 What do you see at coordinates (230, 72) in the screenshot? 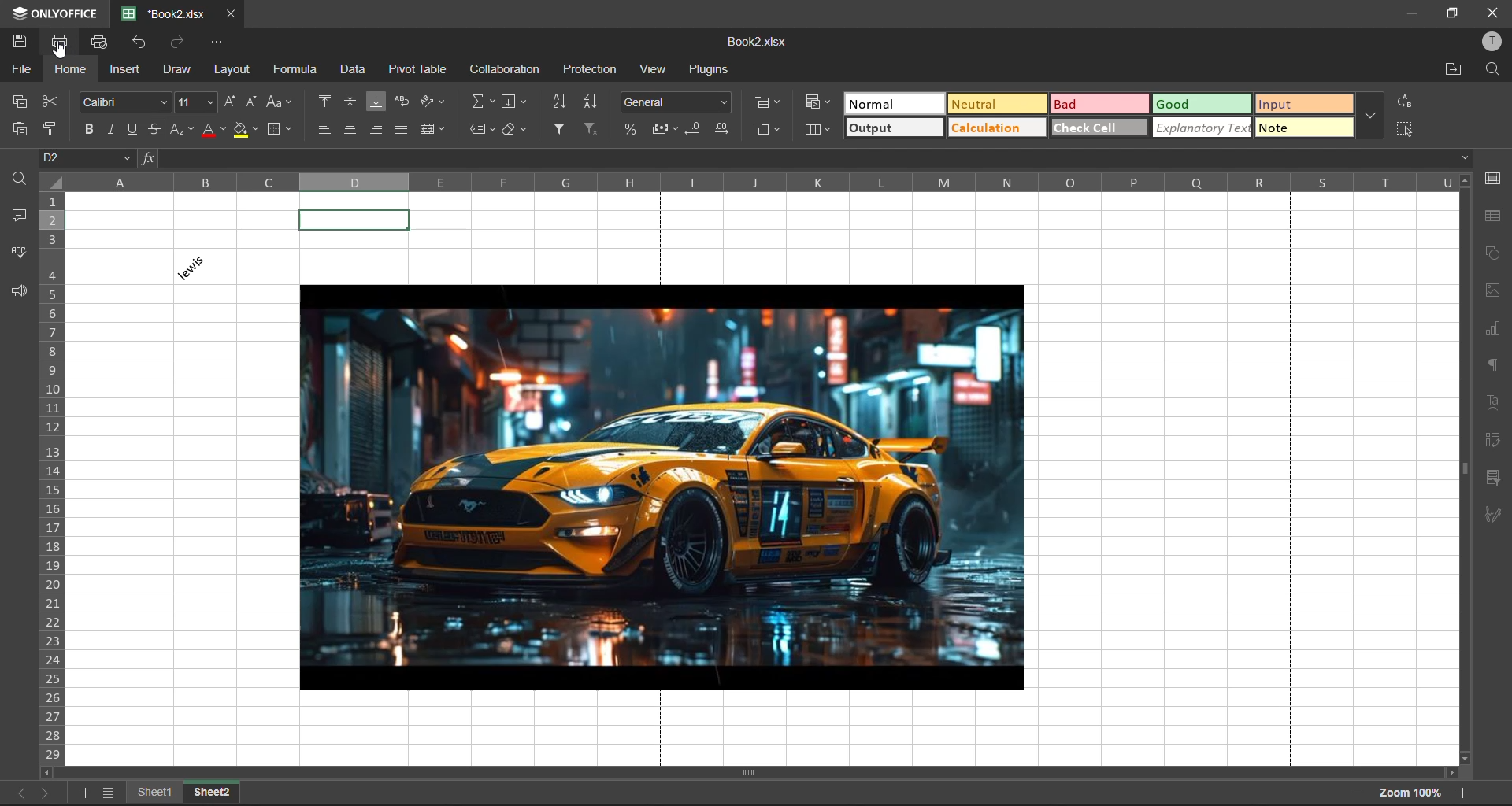
I see `layout` at bounding box center [230, 72].